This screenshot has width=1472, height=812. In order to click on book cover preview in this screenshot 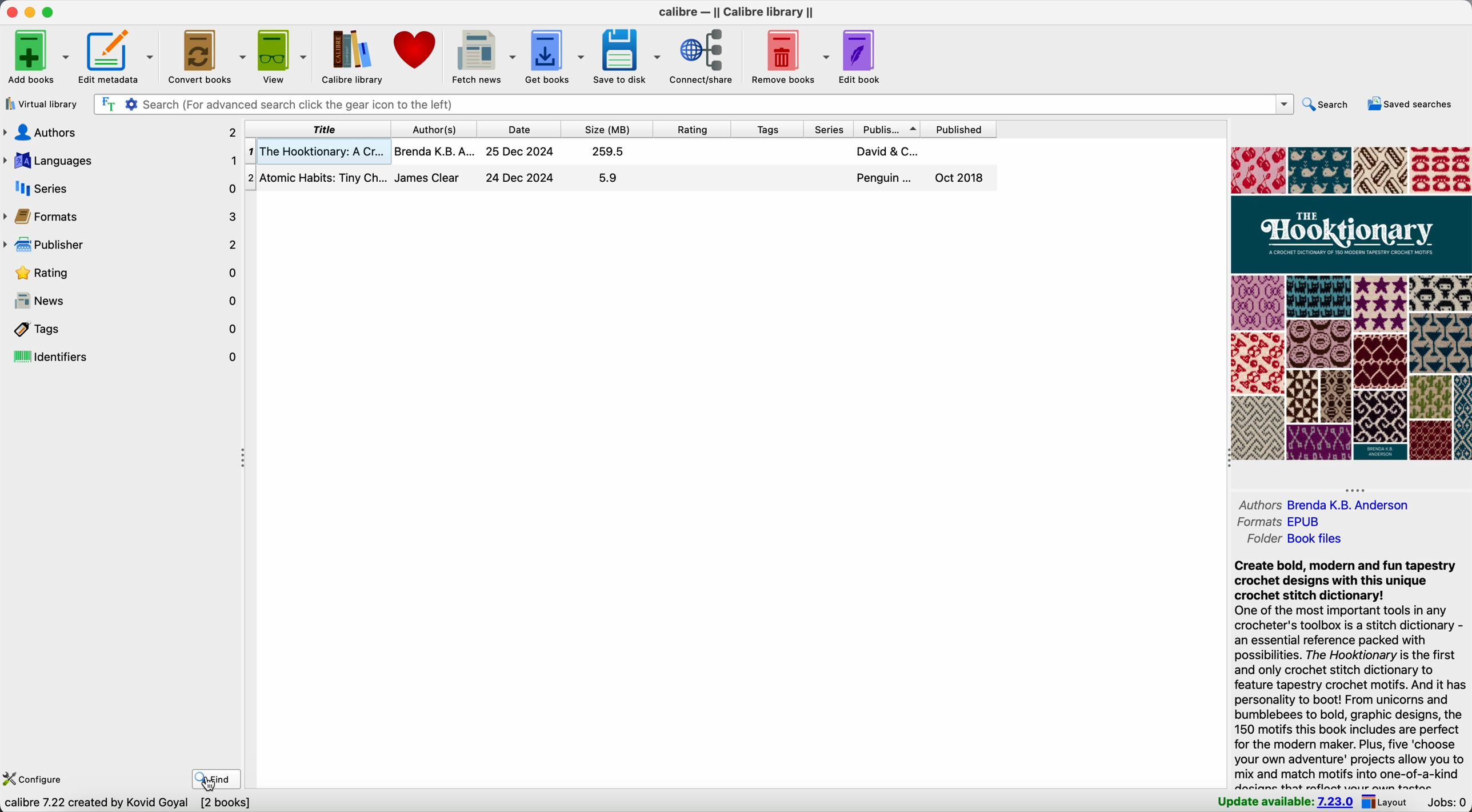, I will do `click(1350, 301)`.